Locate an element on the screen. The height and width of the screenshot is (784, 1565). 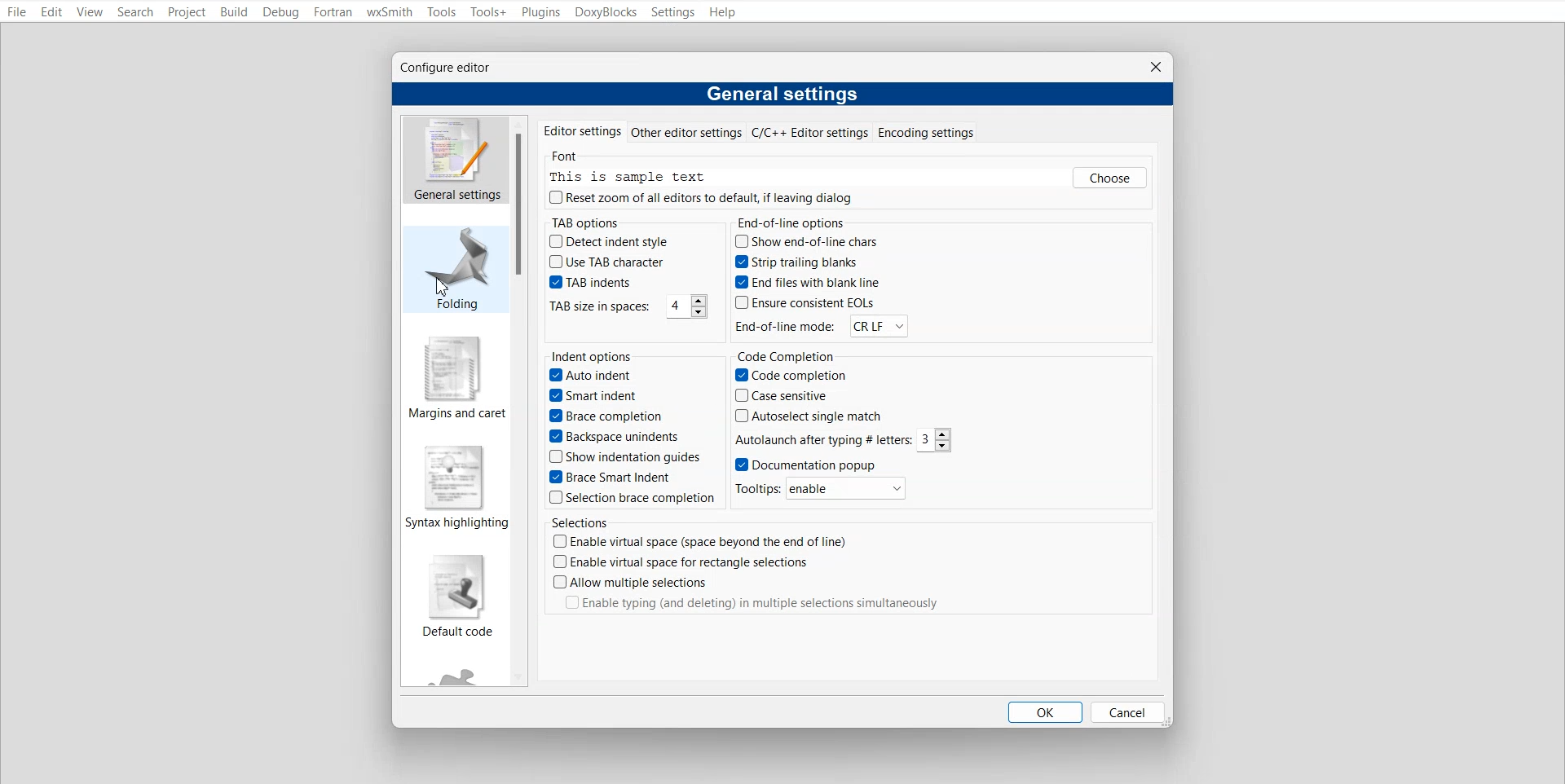
Use TAB character is located at coordinates (605, 261).